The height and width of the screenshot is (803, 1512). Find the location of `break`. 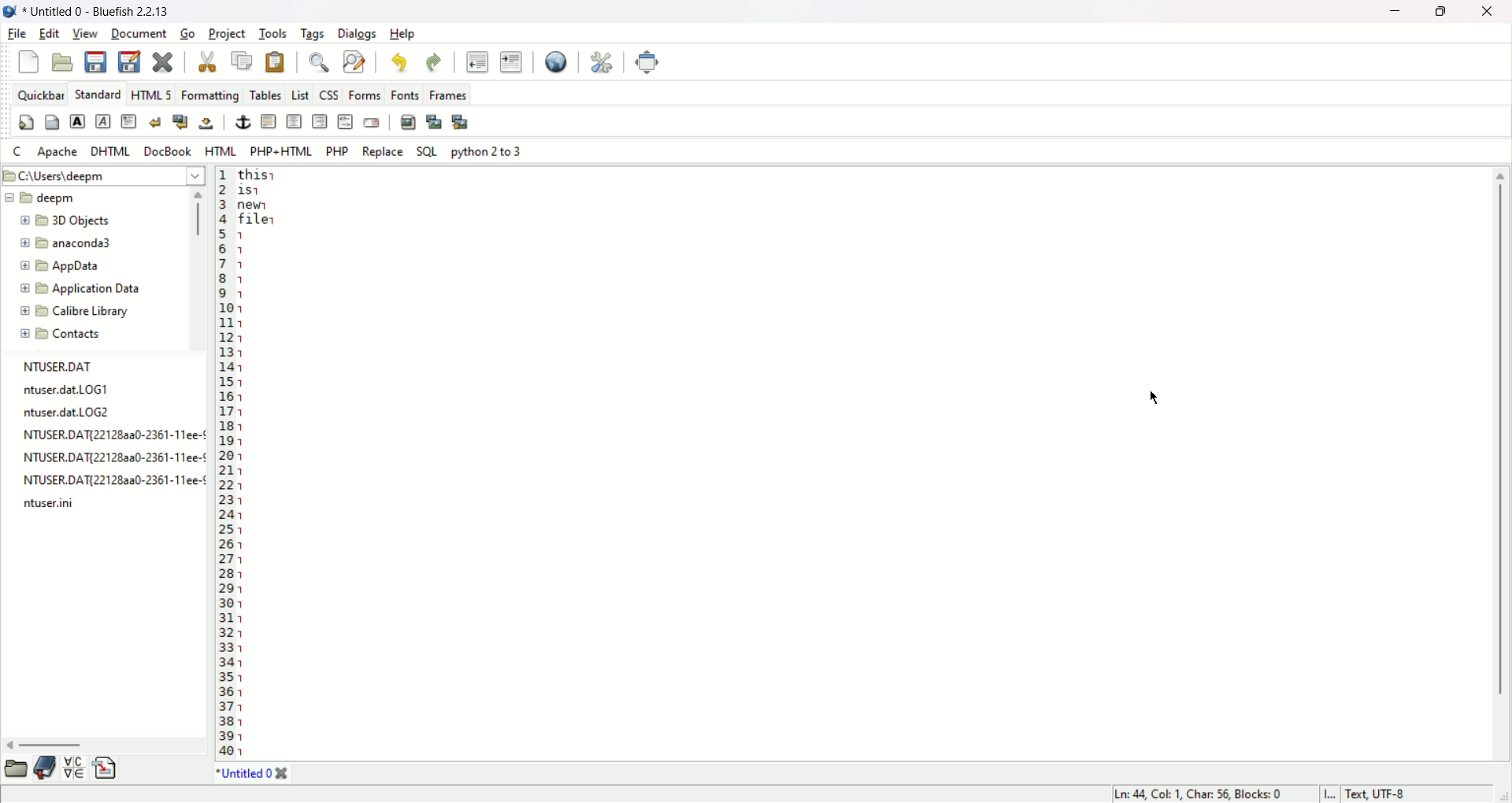

break is located at coordinates (155, 121).